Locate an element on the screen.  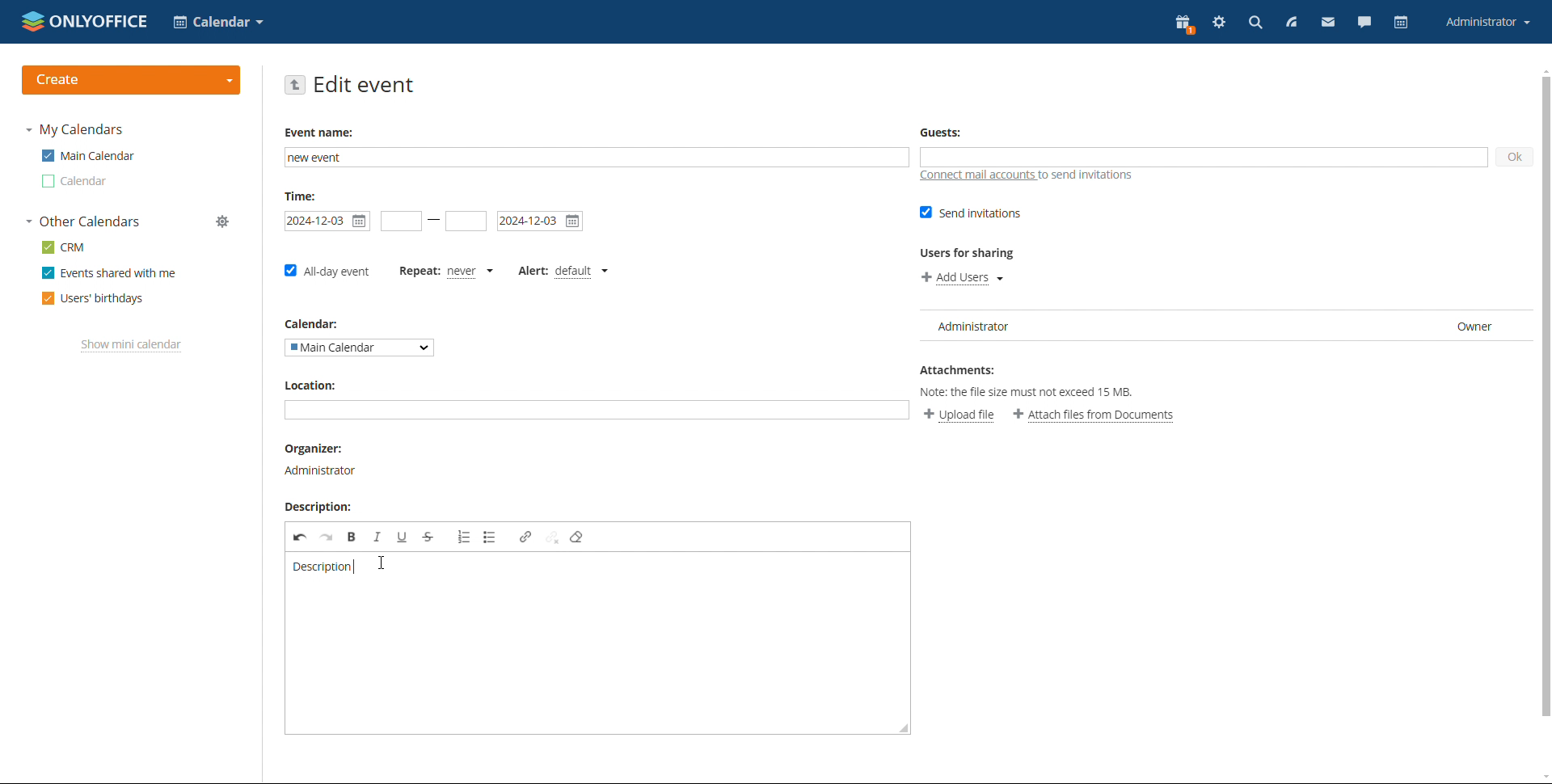
calendar is located at coordinates (1403, 23).